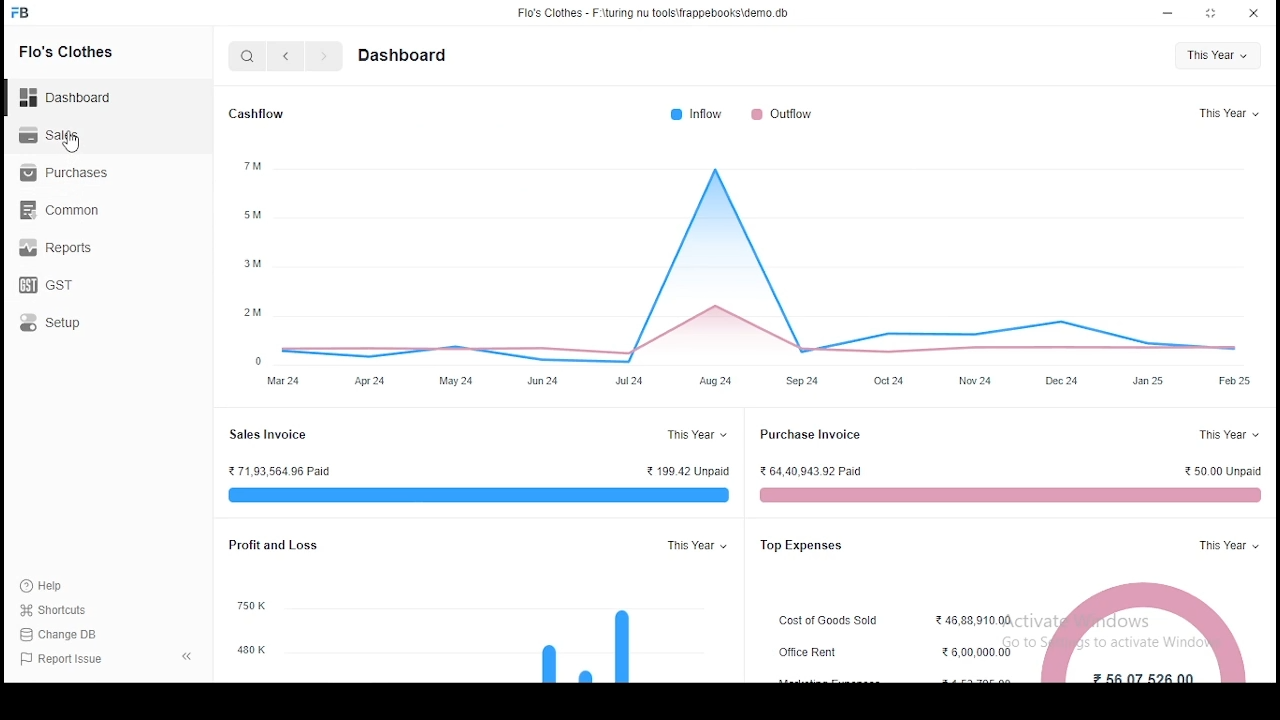 This screenshot has height=720, width=1280. I want to click on 71,93,564.96 Paid, so click(287, 471).